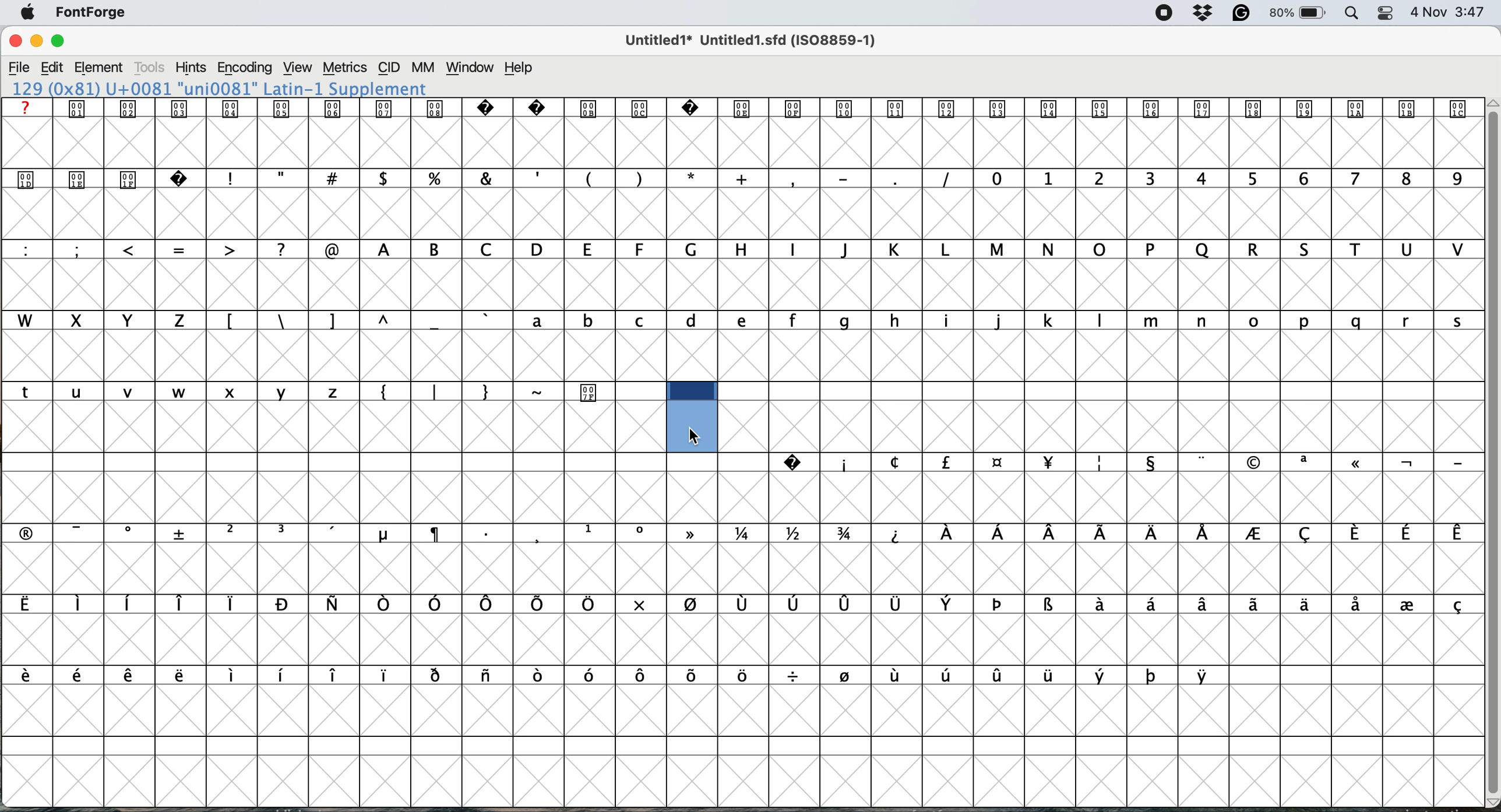  What do you see at coordinates (690, 415) in the screenshot?
I see `select cell` at bounding box center [690, 415].